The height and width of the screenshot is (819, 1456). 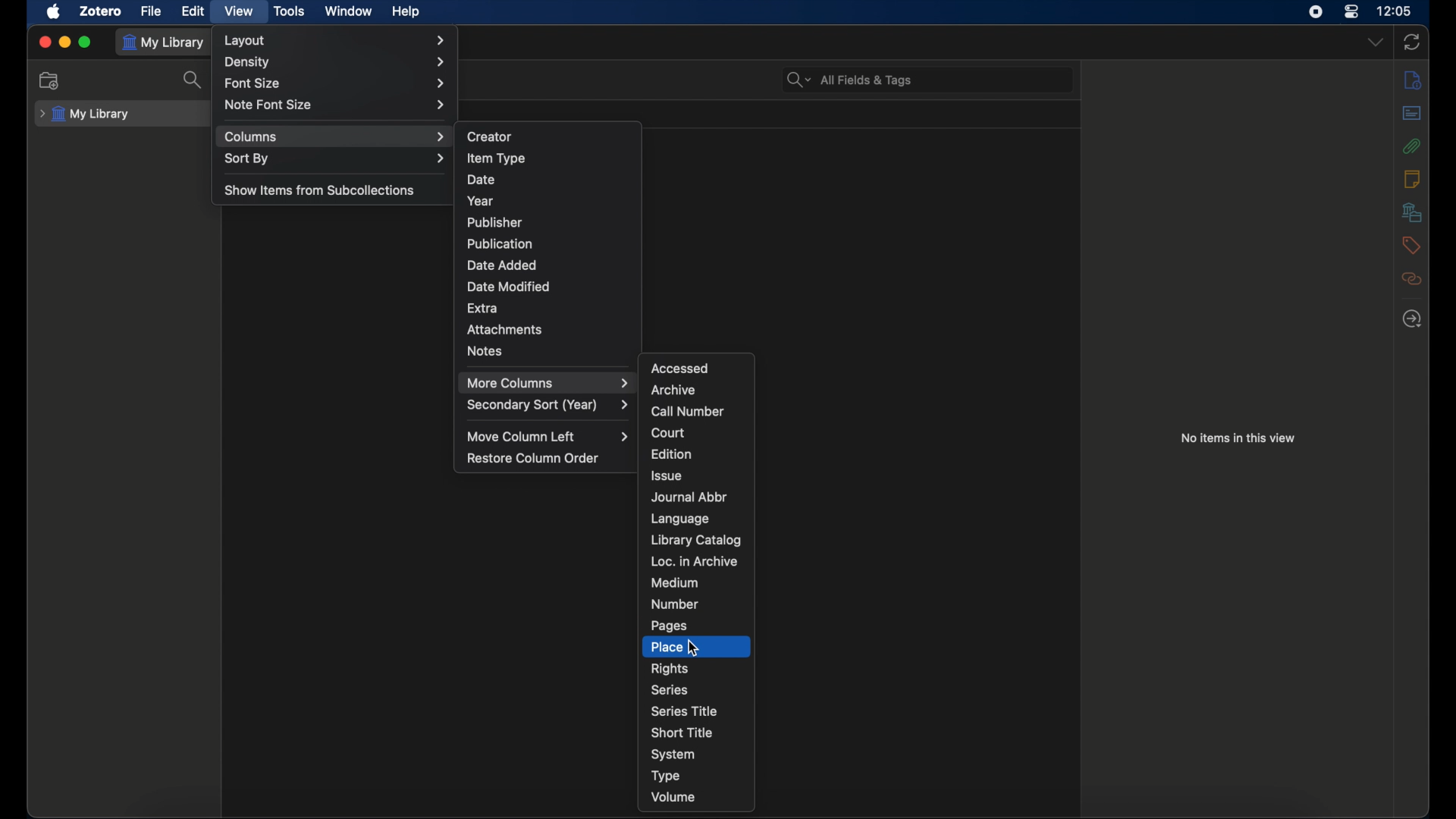 What do you see at coordinates (496, 222) in the screenshot?
I see `publisher` at bounding box center [496, 222].